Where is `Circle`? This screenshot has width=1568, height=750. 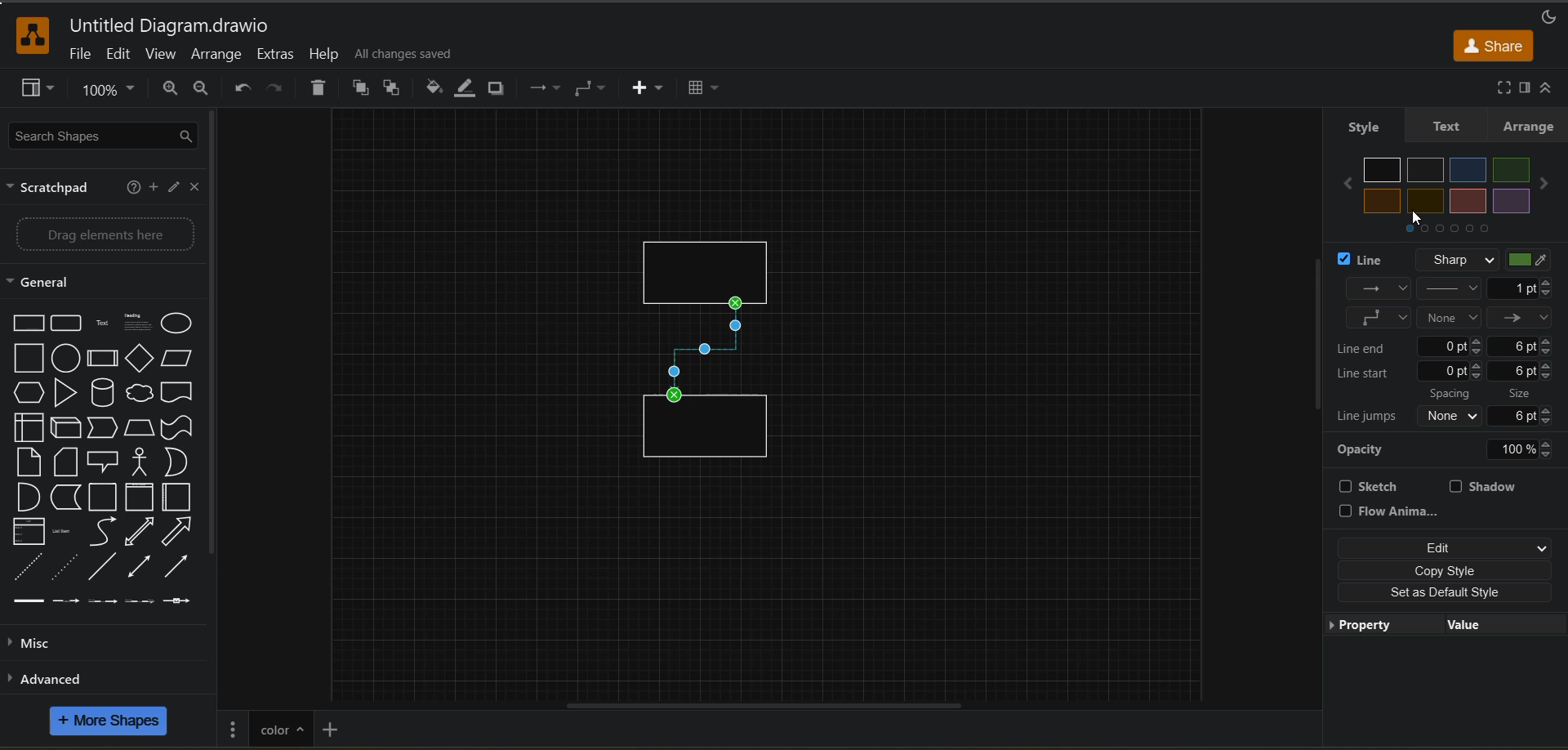
Circle is located at coordinates (65, 359).